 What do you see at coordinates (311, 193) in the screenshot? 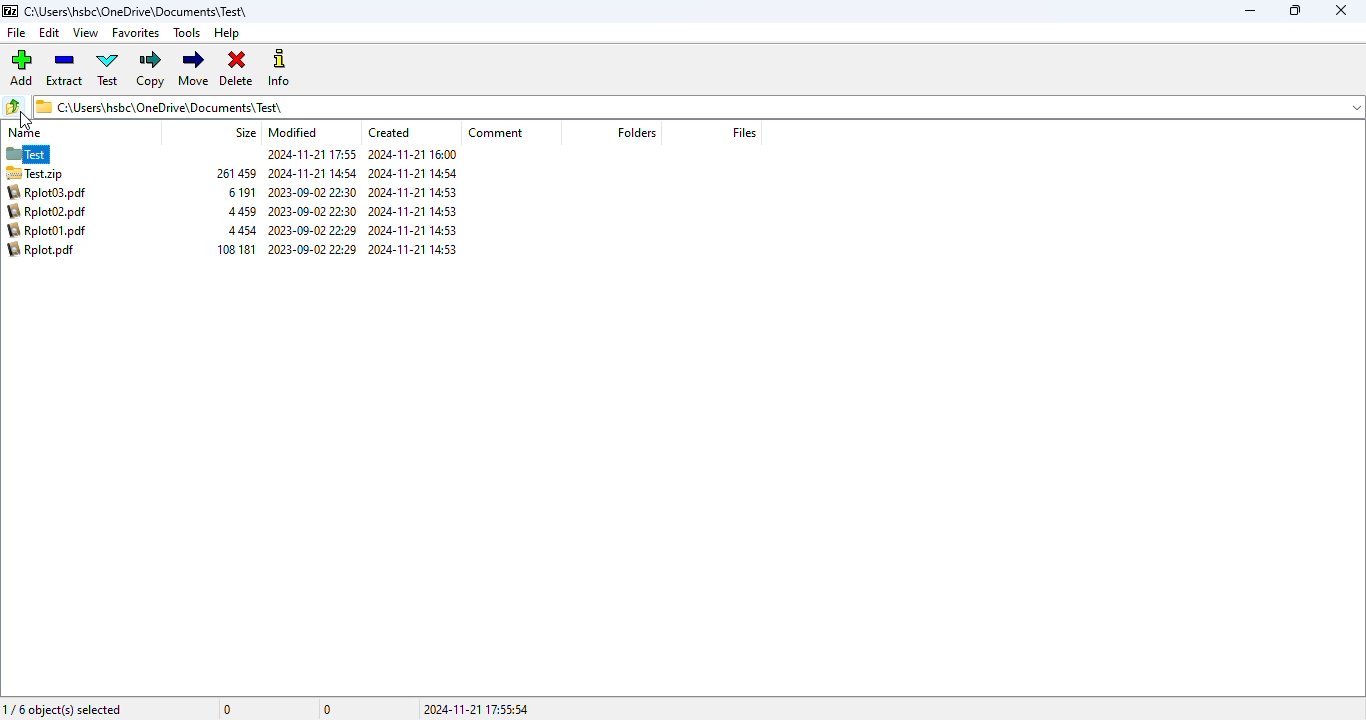
I see `2023-09-02 22:30` at bounding box center [311, 193].